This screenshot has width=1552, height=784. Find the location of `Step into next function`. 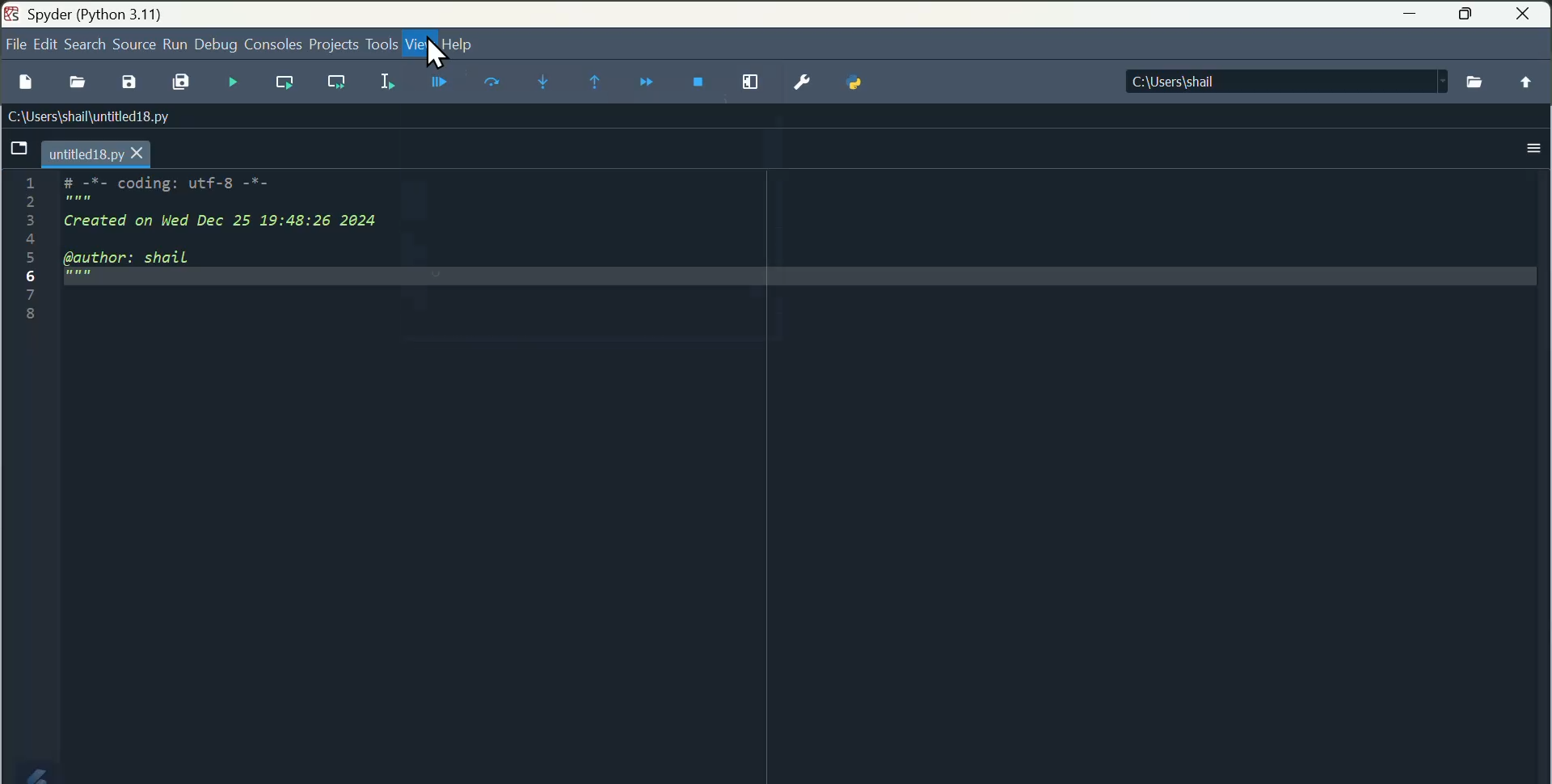

Step into next function is located at coordinates (541, 84).